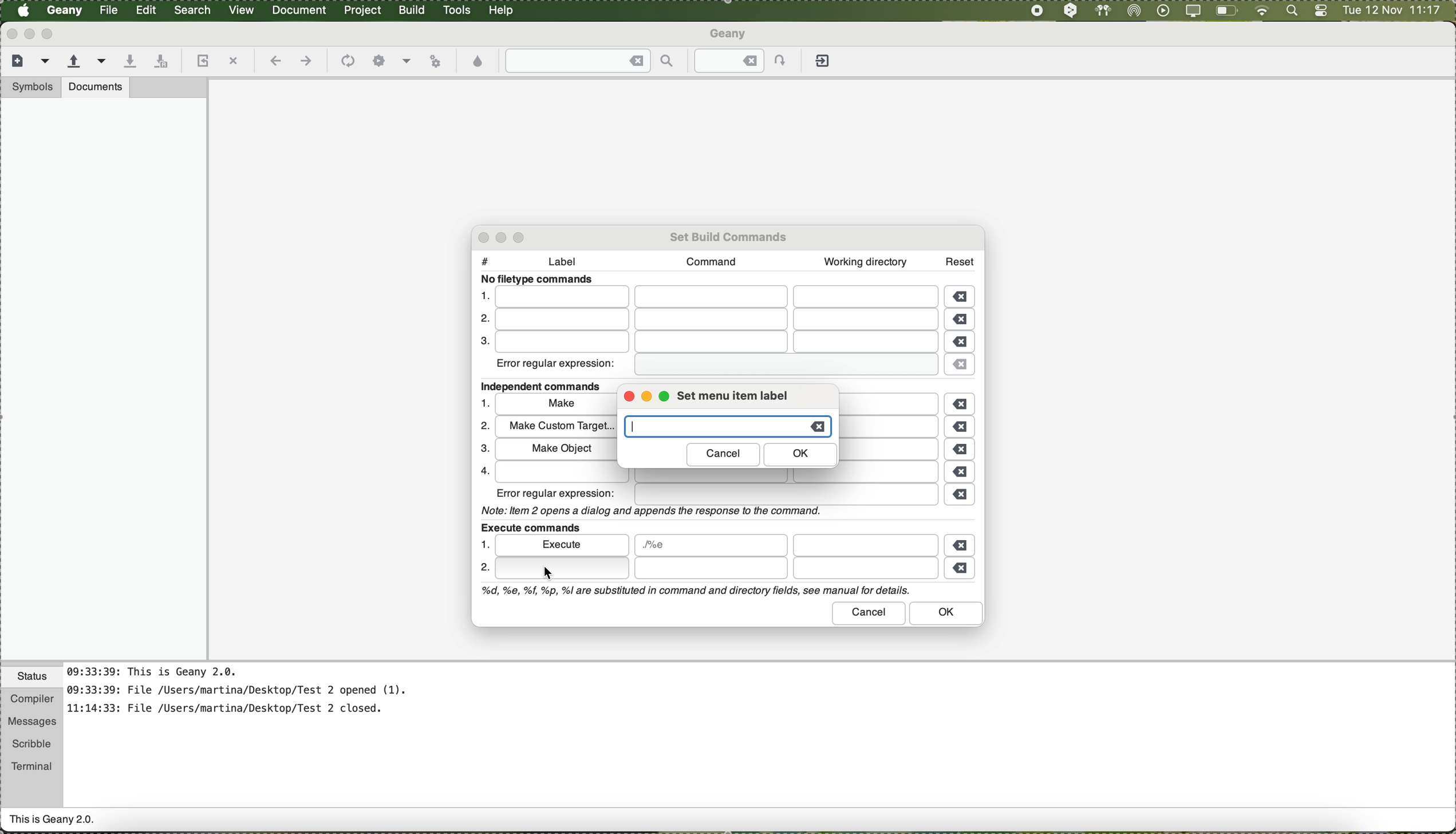 This screenshot has width=1456, height=834. Describe the element at coordinates (694, 591) in the screenshot. I see `note` at that location.